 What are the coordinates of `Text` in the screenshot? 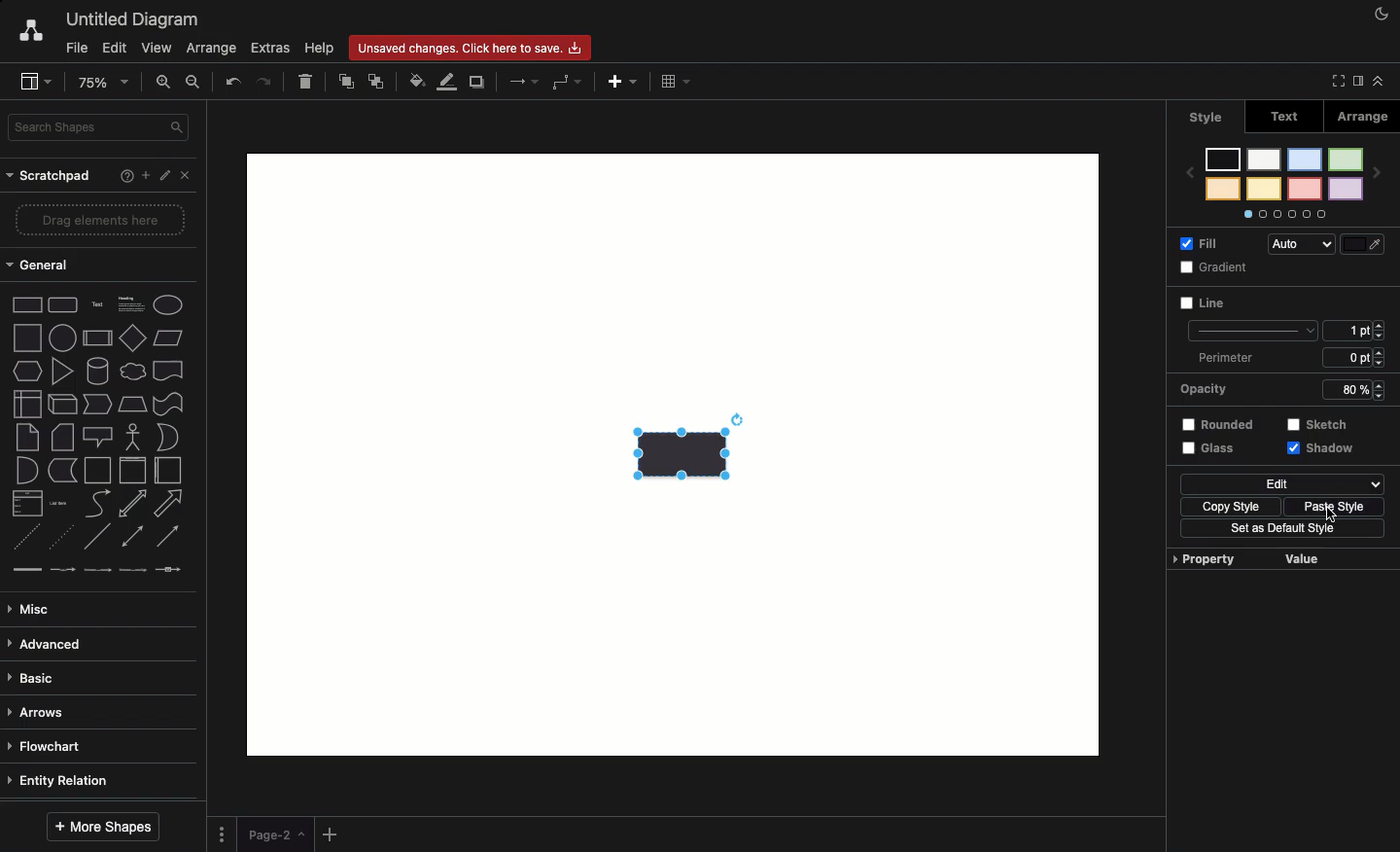 It's located at (98, 305).